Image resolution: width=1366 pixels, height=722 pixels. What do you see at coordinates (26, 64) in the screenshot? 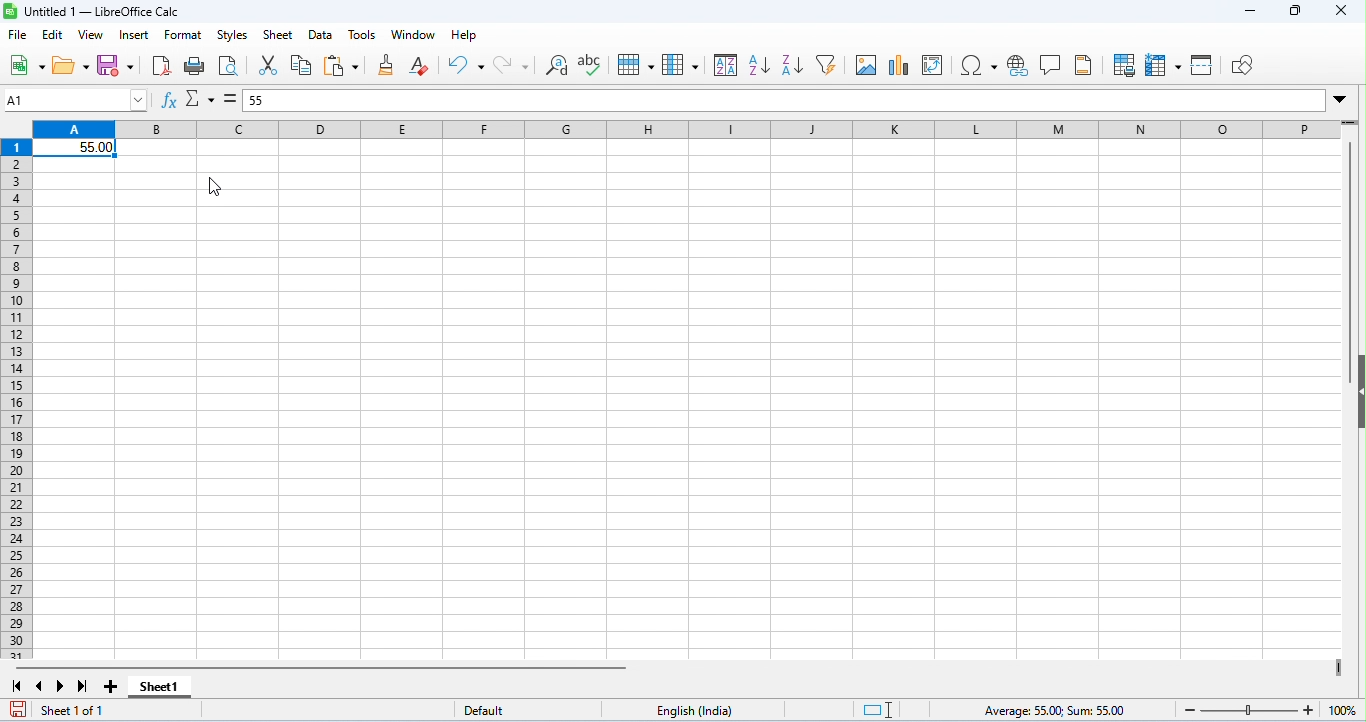
I see `new` at bounding box center [26, 64].